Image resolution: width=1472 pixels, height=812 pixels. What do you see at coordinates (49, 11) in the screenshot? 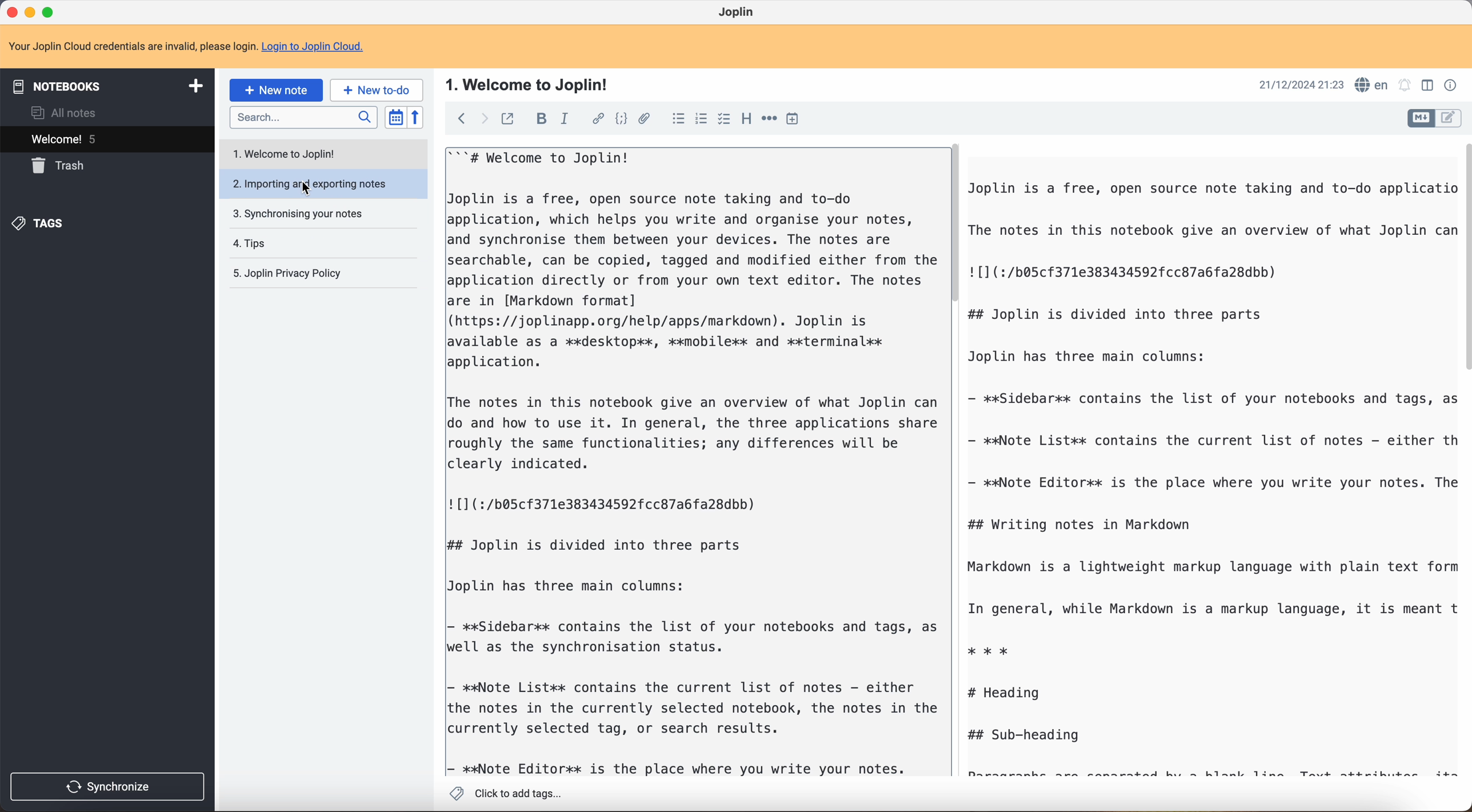
I see `maximize` at bounding box center [49, 11].